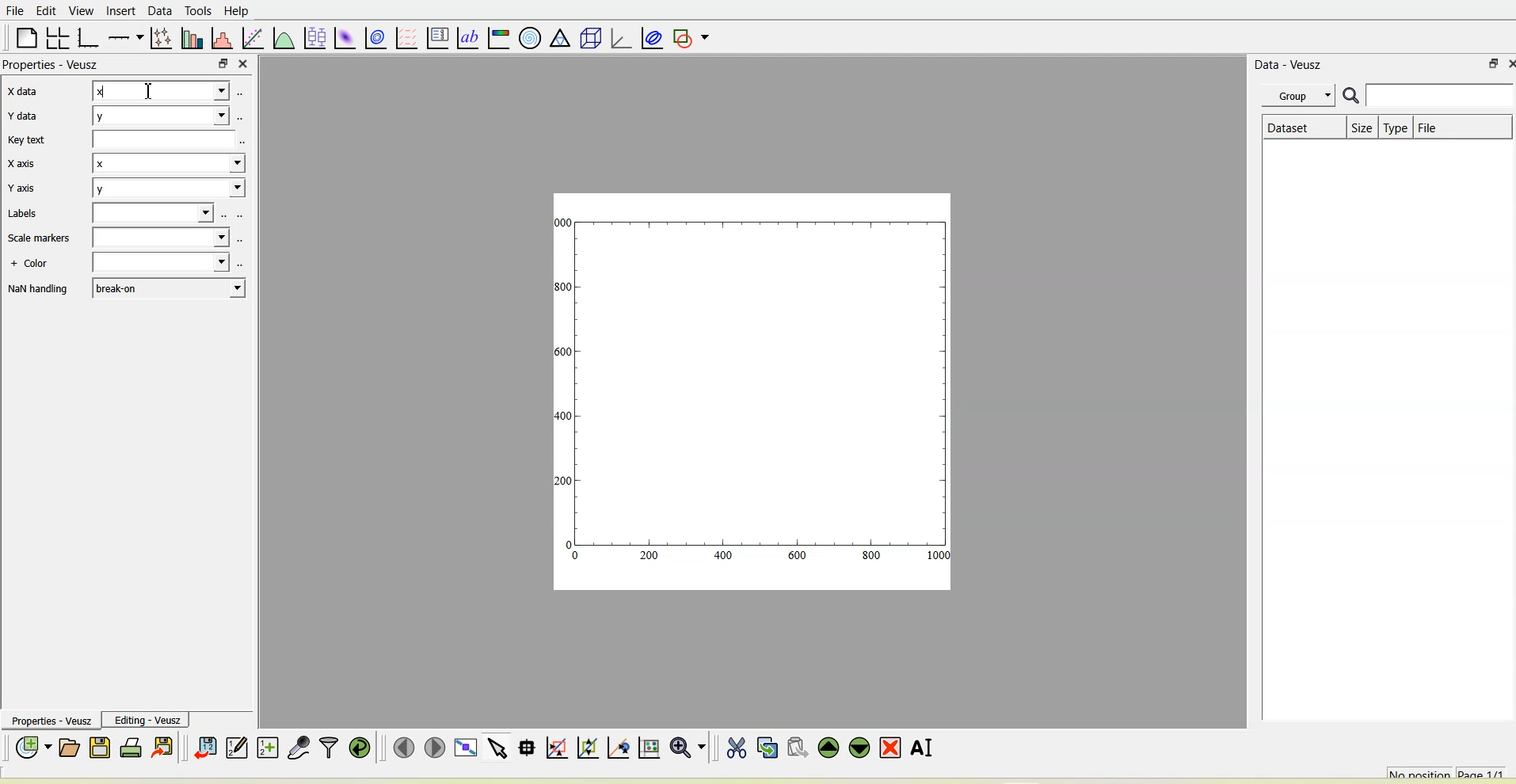  What do you see at coordinates (1304, 126) in the screenshot?
I see `Dataset` at bounding box center [1304, 126].